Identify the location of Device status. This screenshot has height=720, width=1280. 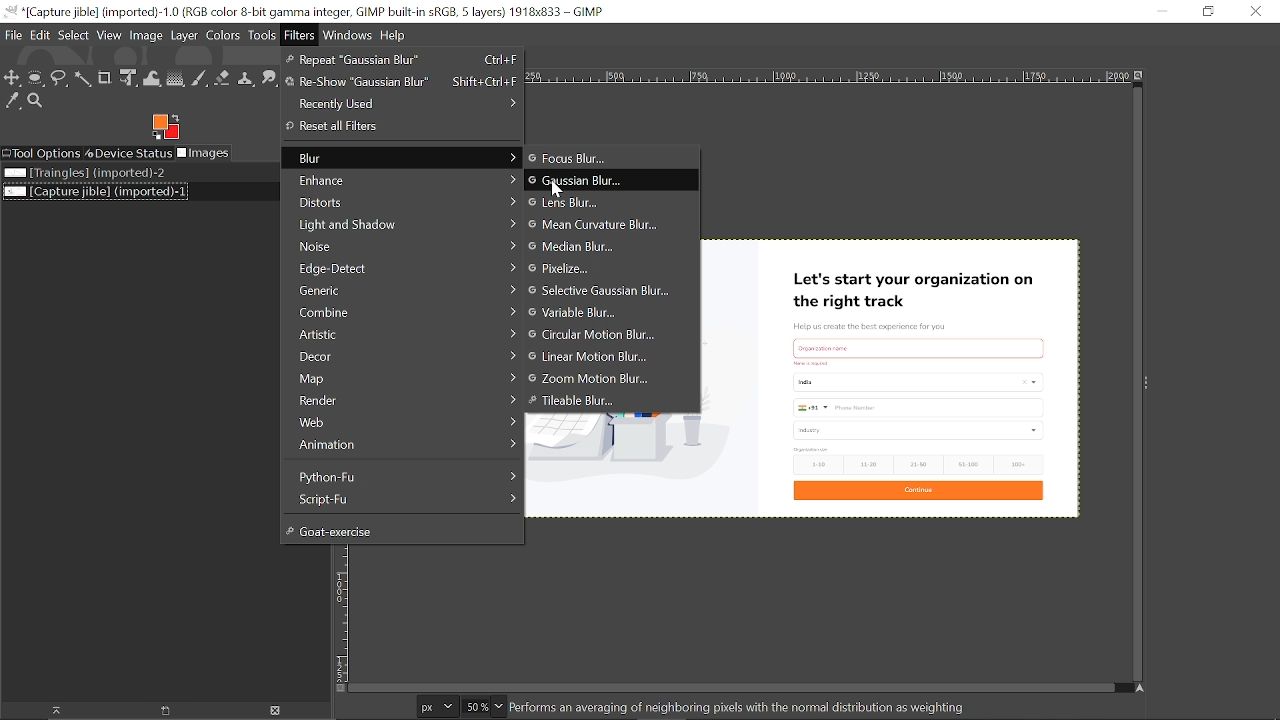
(128, 153).